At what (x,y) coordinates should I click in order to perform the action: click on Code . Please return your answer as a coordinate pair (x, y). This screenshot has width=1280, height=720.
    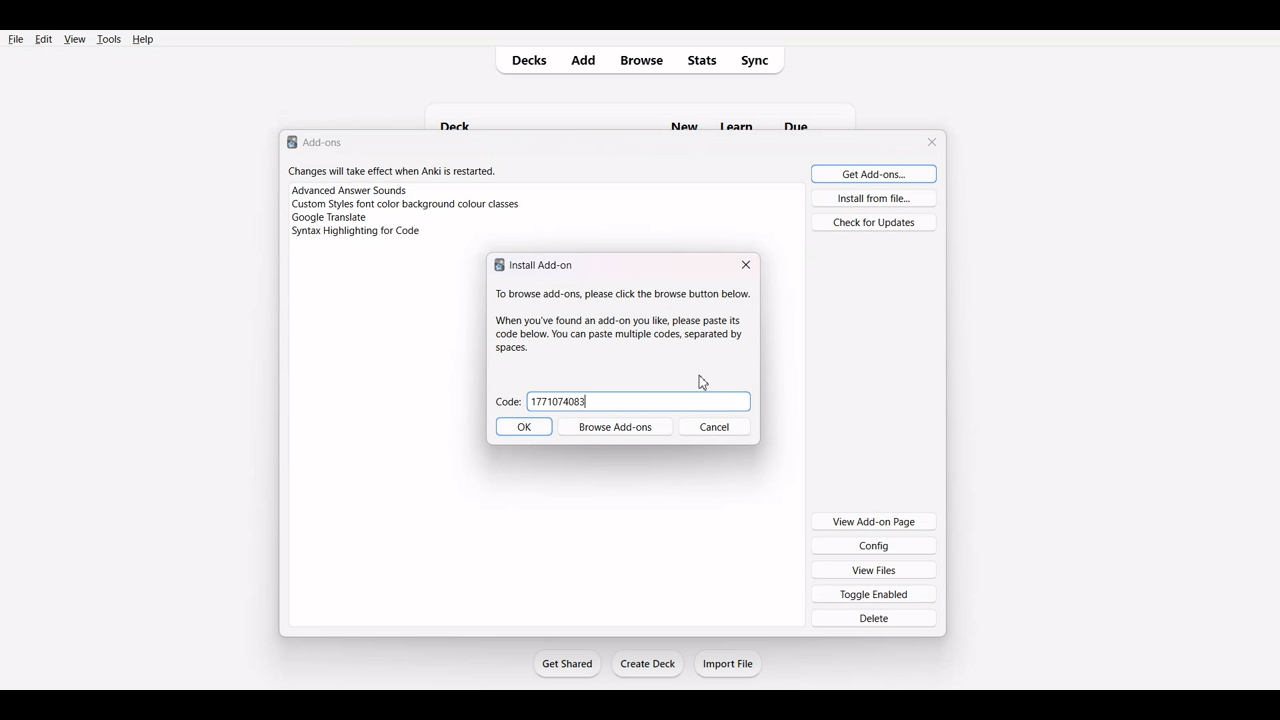
    Looking at the image, I should click on (508, 404).